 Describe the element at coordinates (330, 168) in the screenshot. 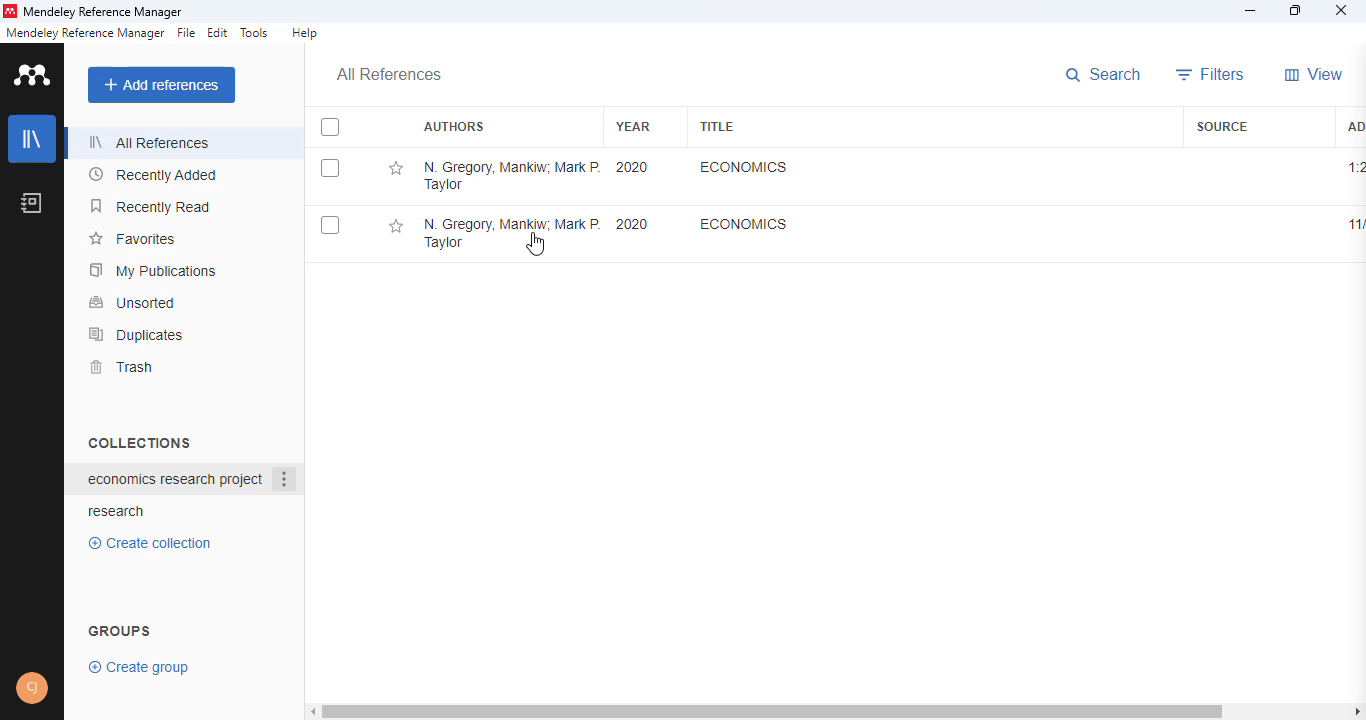

I see `select` at that location.